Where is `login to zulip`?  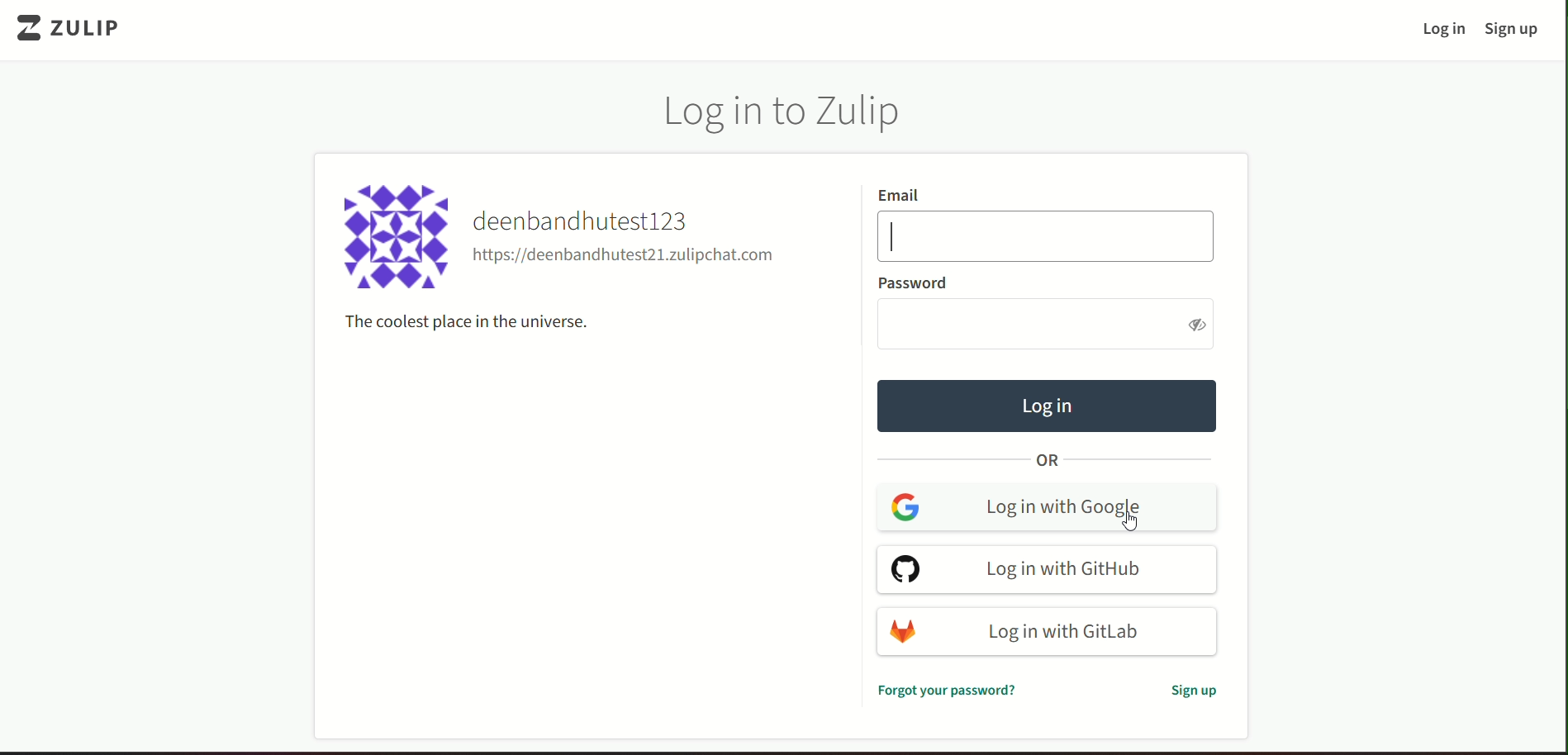 login to zulip is located at coordinates (791, 114).